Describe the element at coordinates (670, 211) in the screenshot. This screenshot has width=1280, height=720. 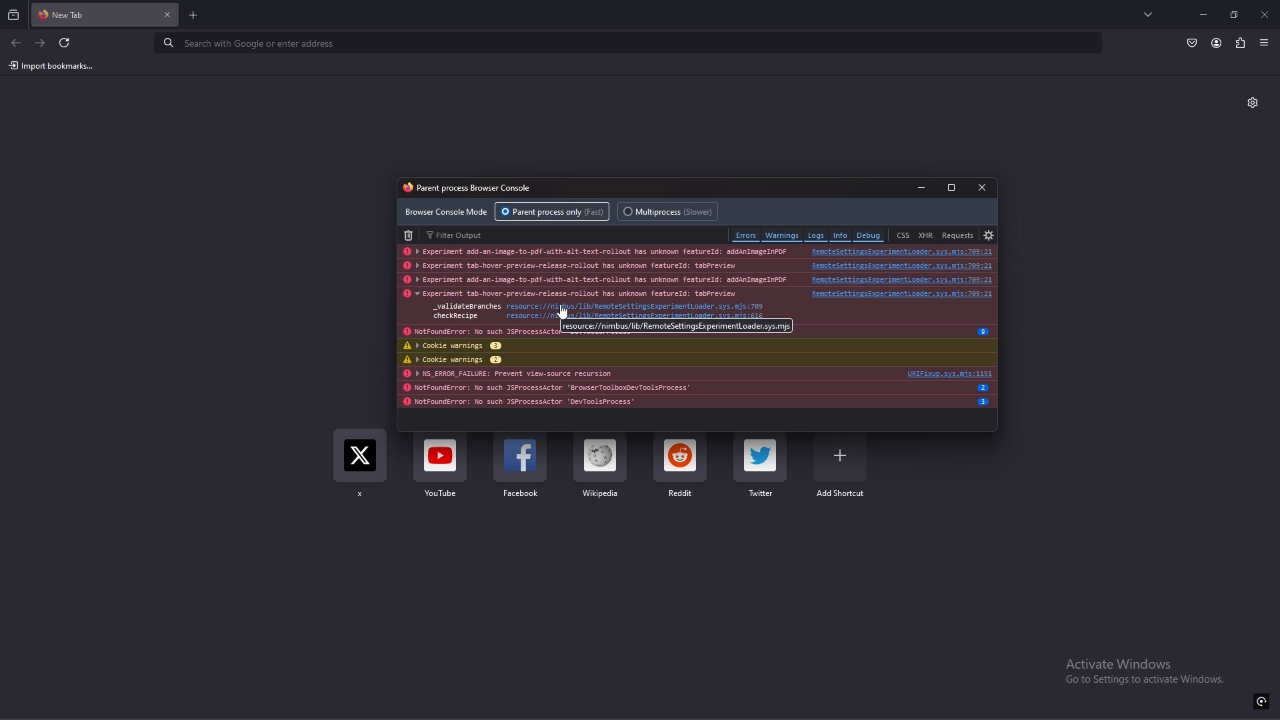
I see `multiprocess` at that location.